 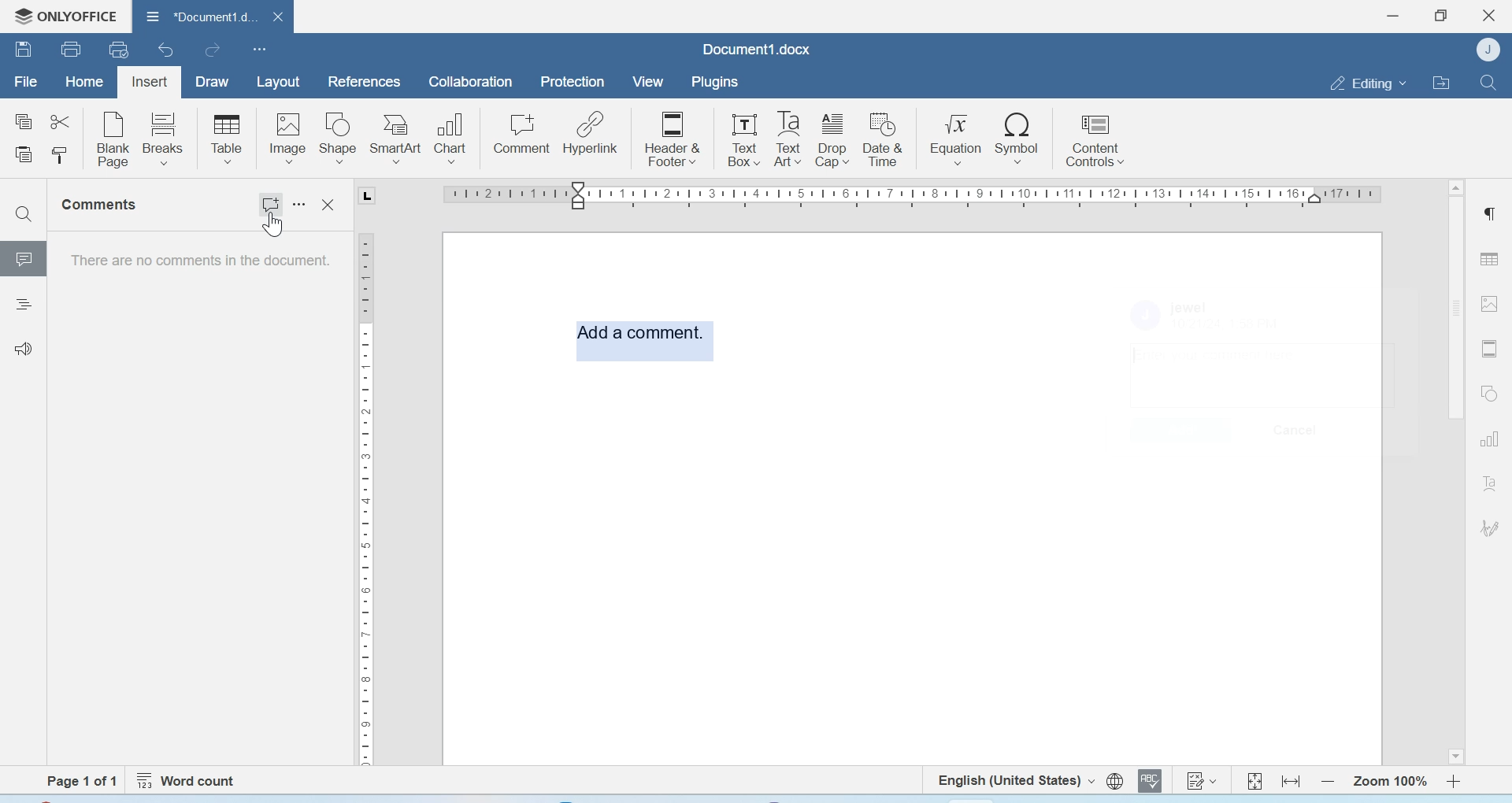 I want to click on scale, so click(x=365, y=496).